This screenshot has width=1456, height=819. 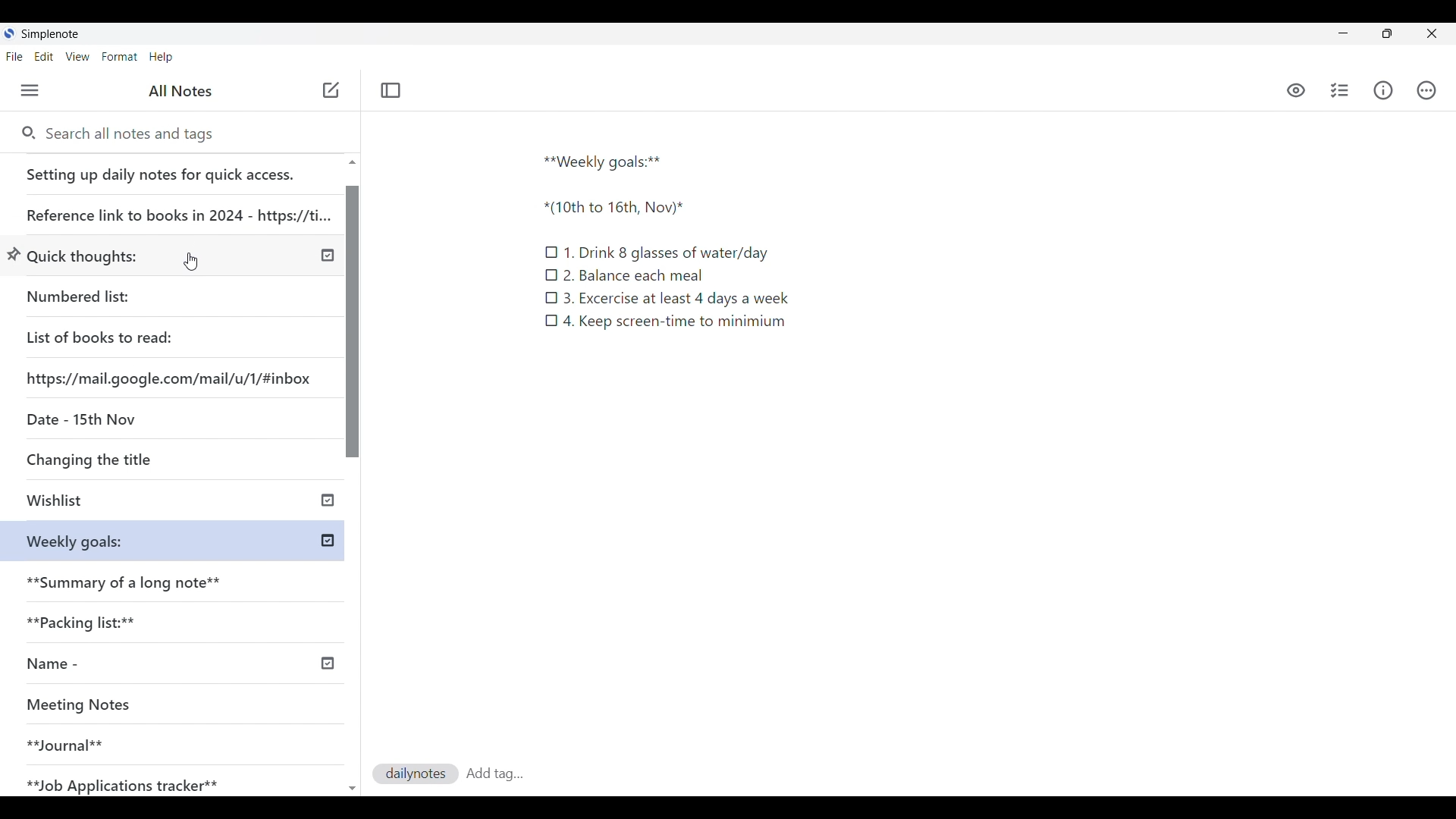 What do you see at coordinates (1343, 33) in the screenshot?
I see `Minimize` at bounding box center [1343, 33].